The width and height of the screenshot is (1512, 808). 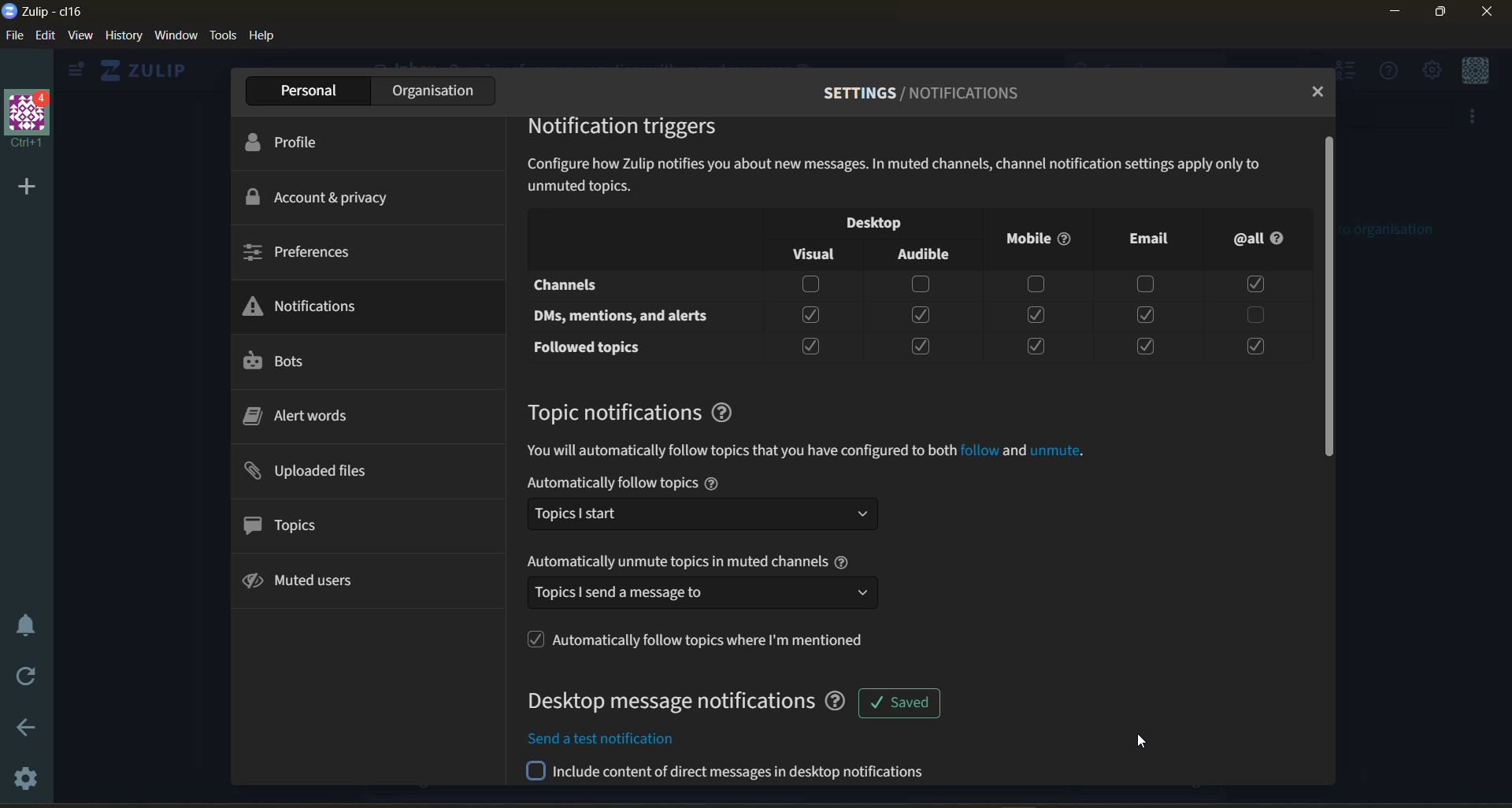 What do you see at coordinates (309, 304) in the screenshot?
I see `notifications` at bounding box center [309, 304].